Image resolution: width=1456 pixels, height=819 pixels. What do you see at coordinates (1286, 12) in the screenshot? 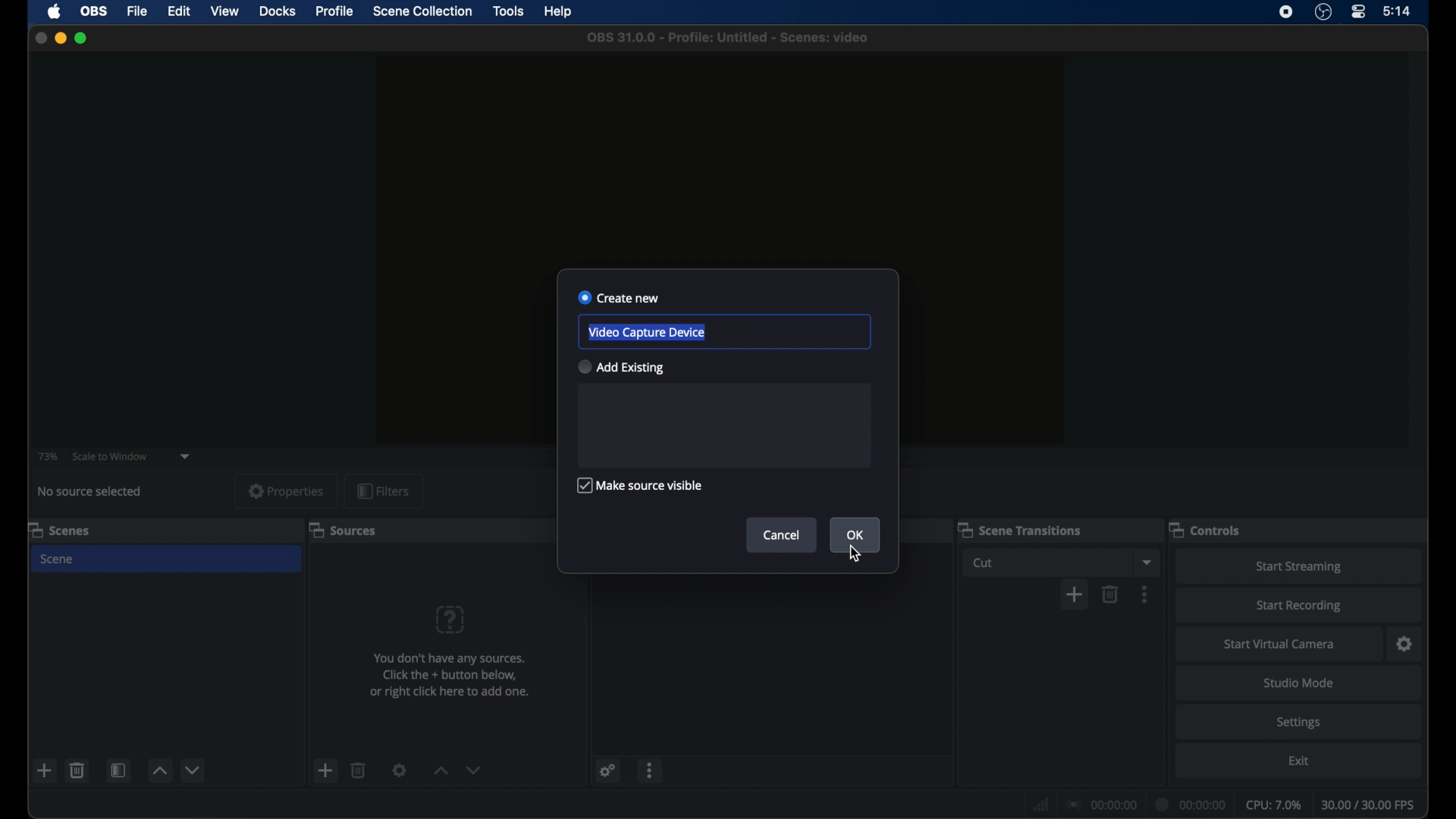
I see `screen recording icon` at bounding box center [1286, 12].